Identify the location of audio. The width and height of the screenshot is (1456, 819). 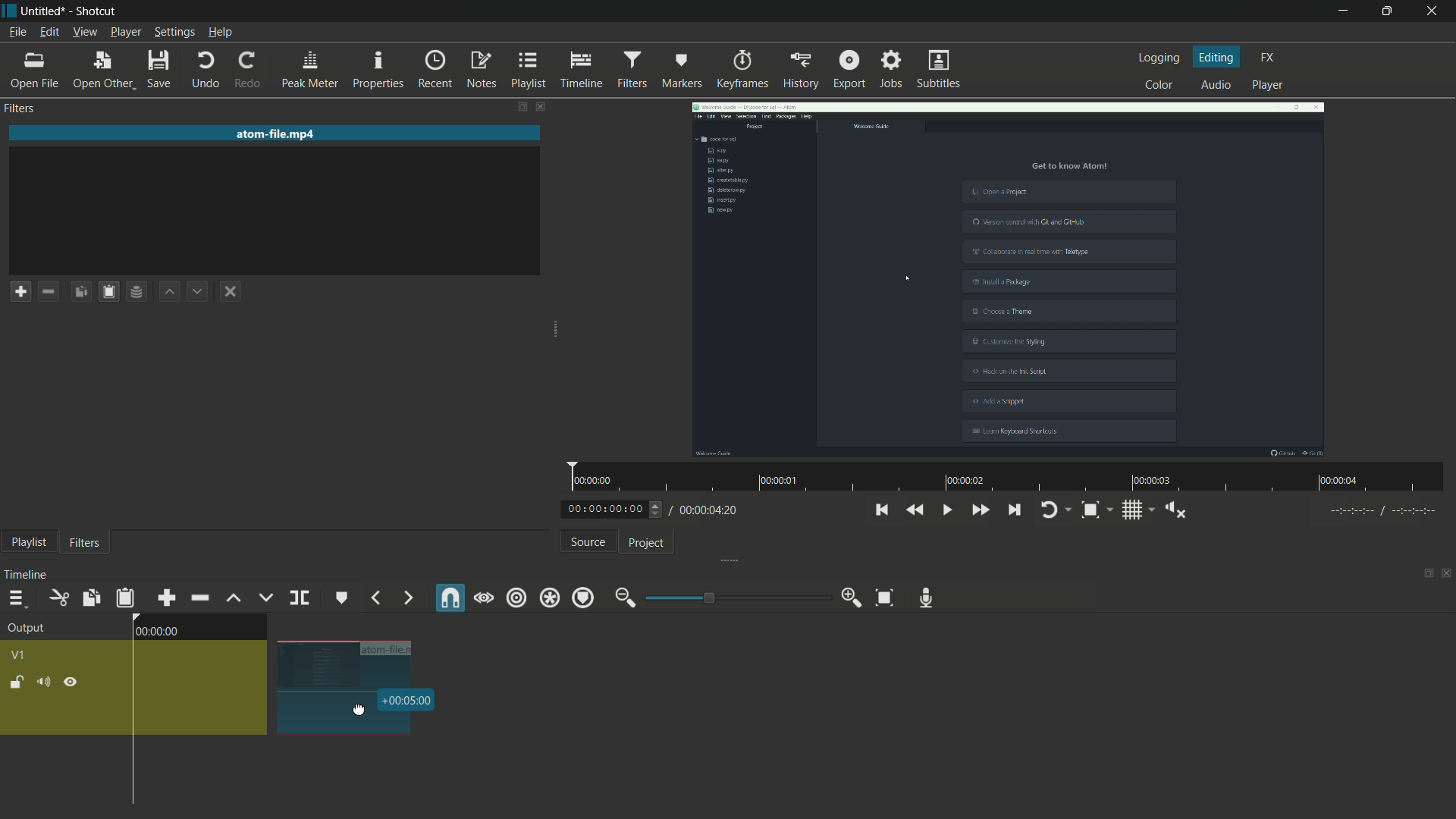
(1217, 86).